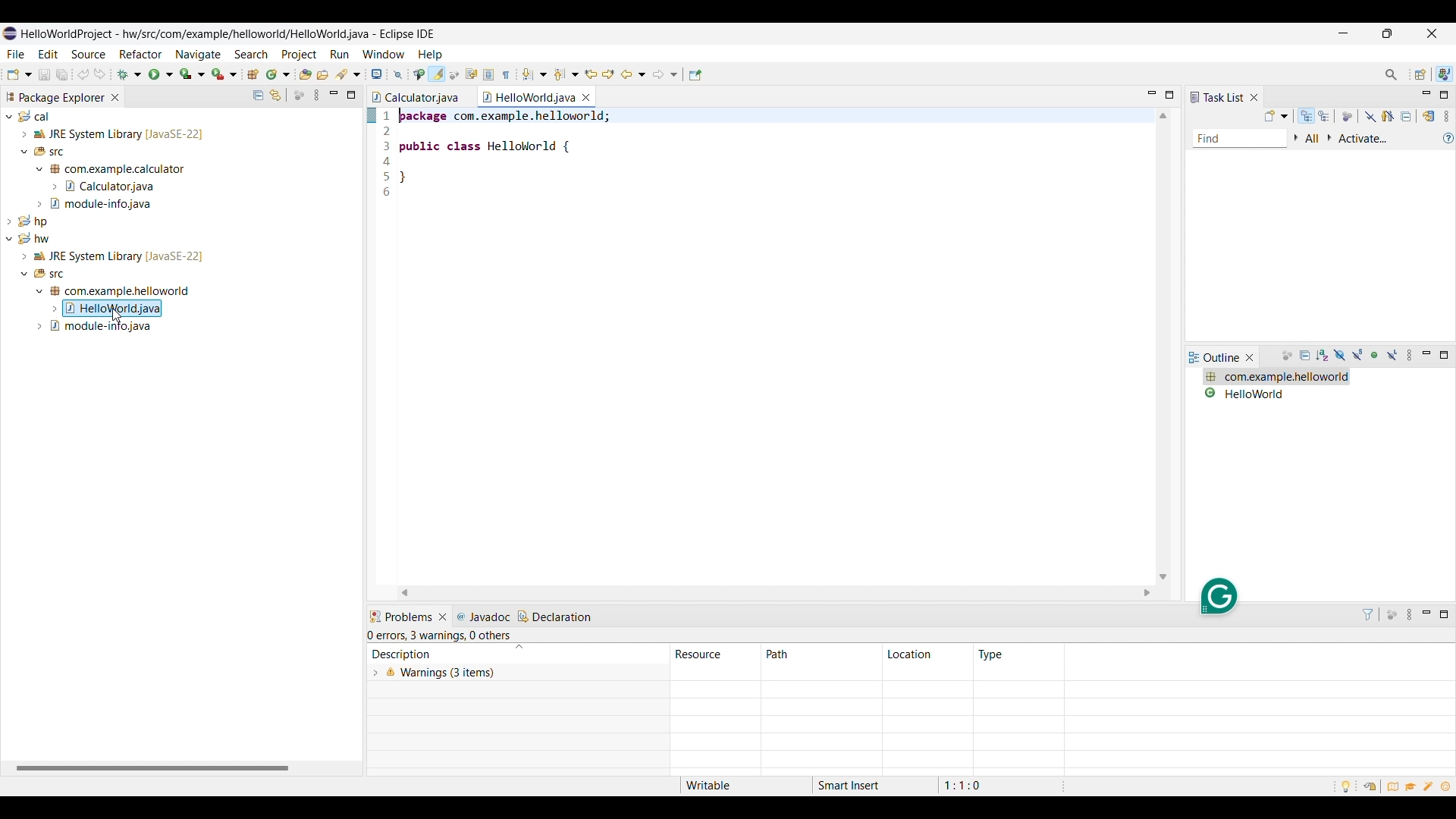  I want to click on File, so click(16, 54).